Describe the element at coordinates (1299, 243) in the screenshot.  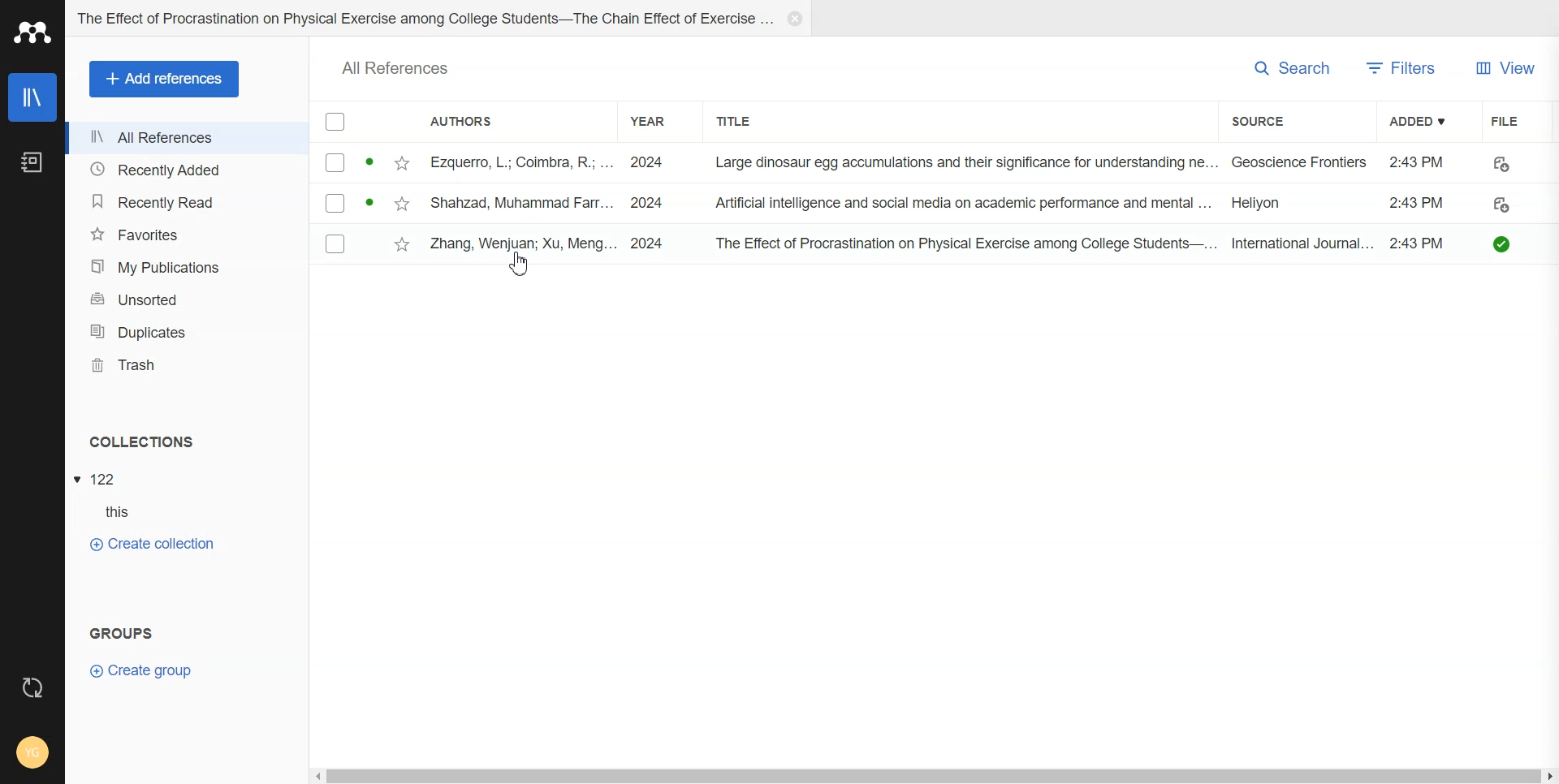
I see `International Journal...` at that location.